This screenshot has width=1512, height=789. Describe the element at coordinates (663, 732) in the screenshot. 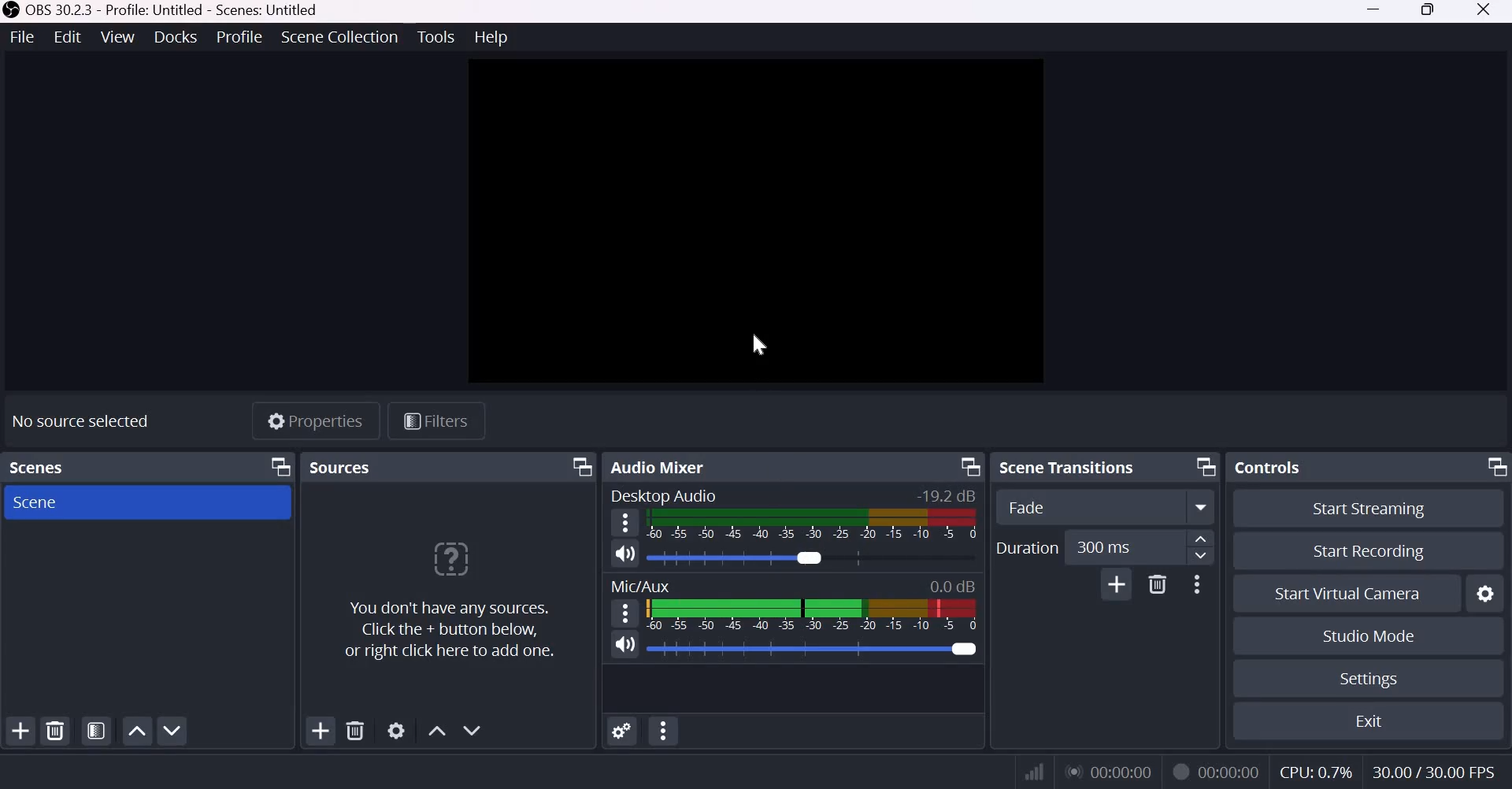

I see `Audio Mixer Menu` at that location.